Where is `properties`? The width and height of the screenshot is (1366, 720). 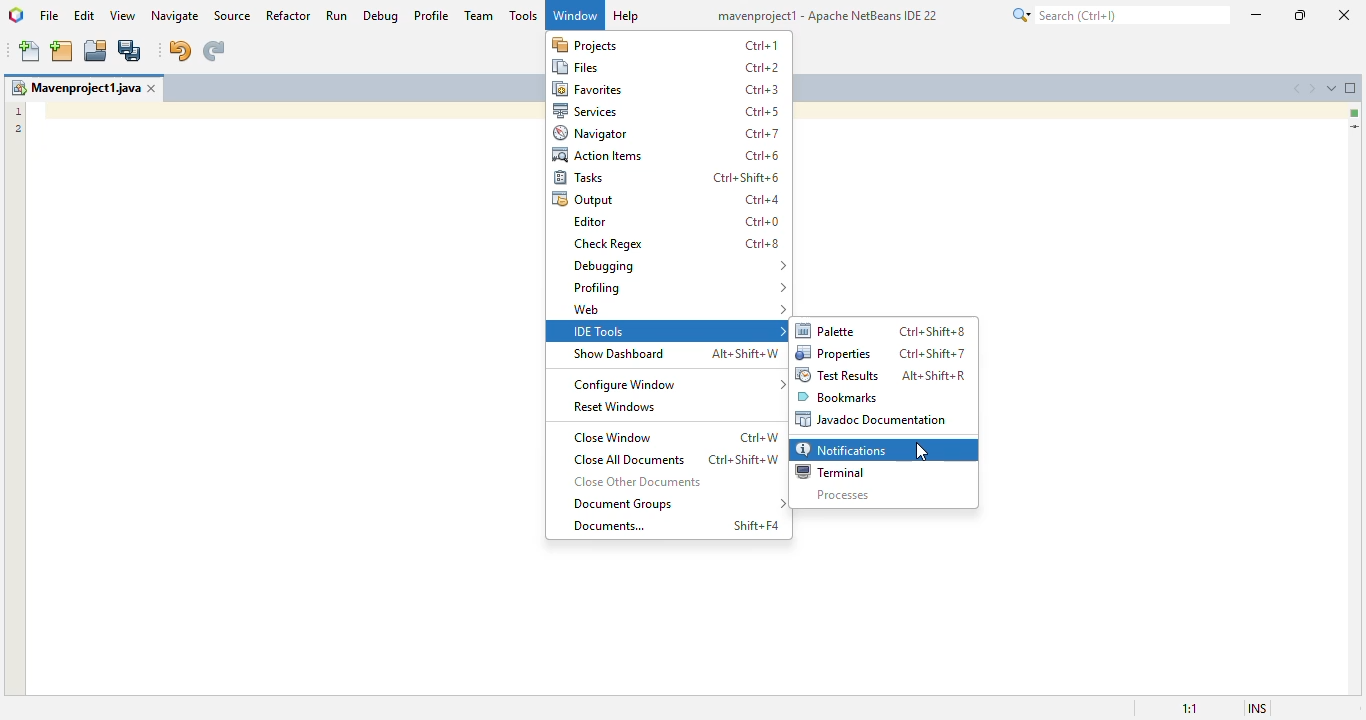
properties is located at coordinates (833, 353).